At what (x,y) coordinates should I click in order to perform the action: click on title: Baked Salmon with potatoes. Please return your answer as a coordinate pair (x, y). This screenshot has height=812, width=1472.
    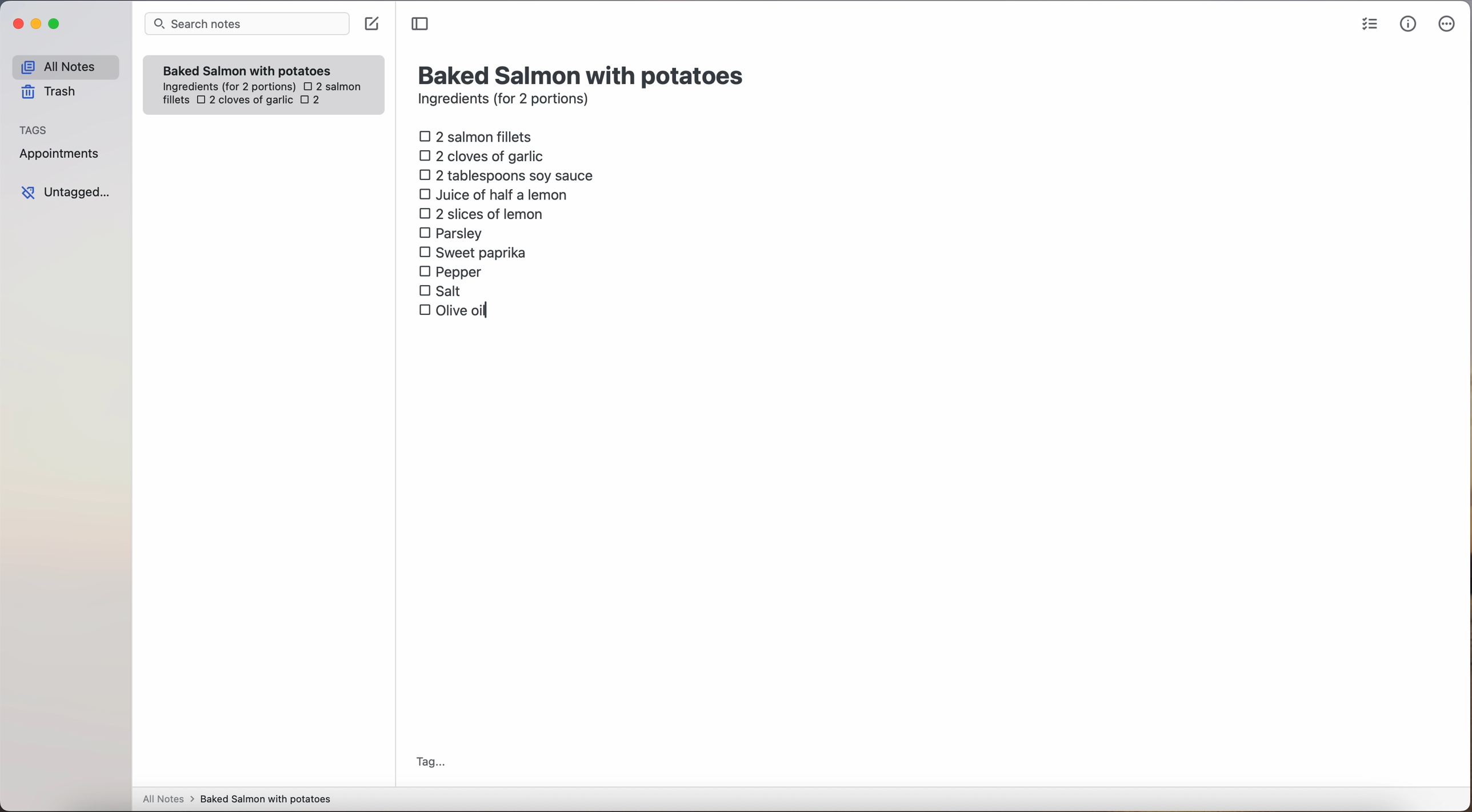
    Looking at the image, I should click on (583, 74).